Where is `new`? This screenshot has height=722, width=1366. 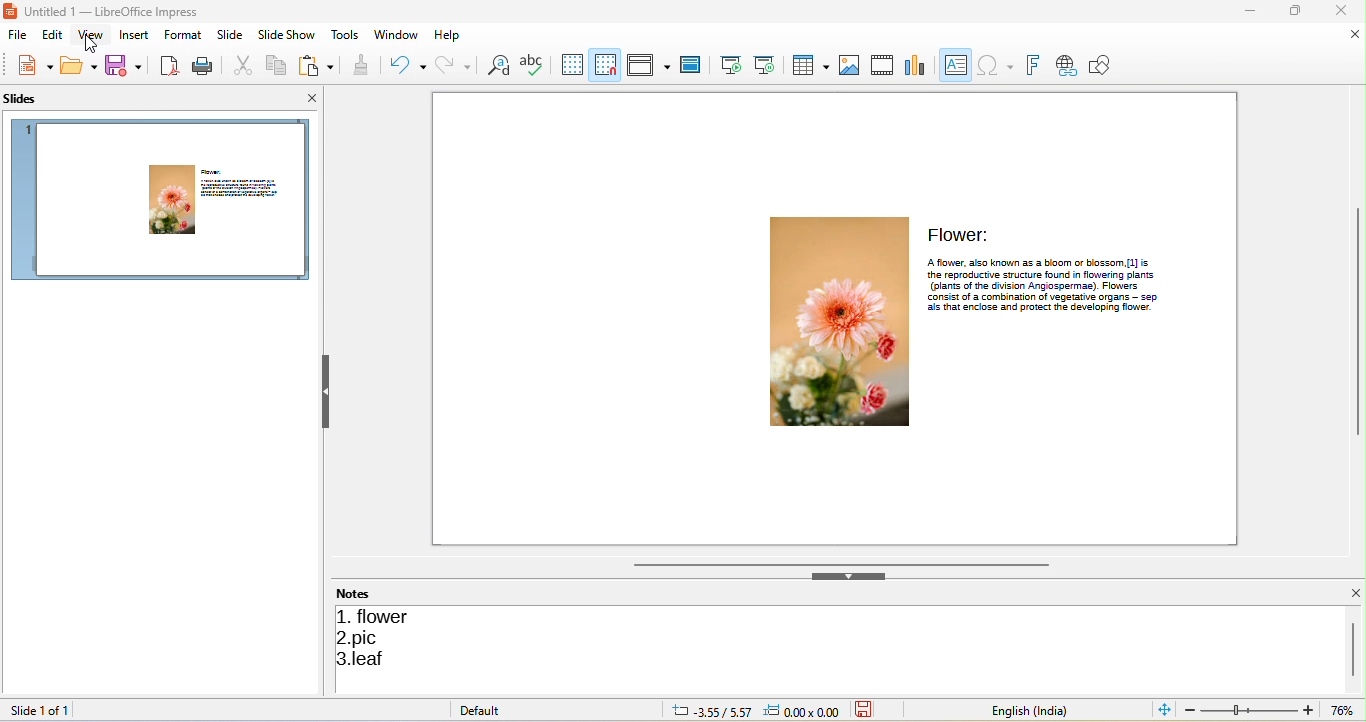 new is located at coordinates (35, 65).